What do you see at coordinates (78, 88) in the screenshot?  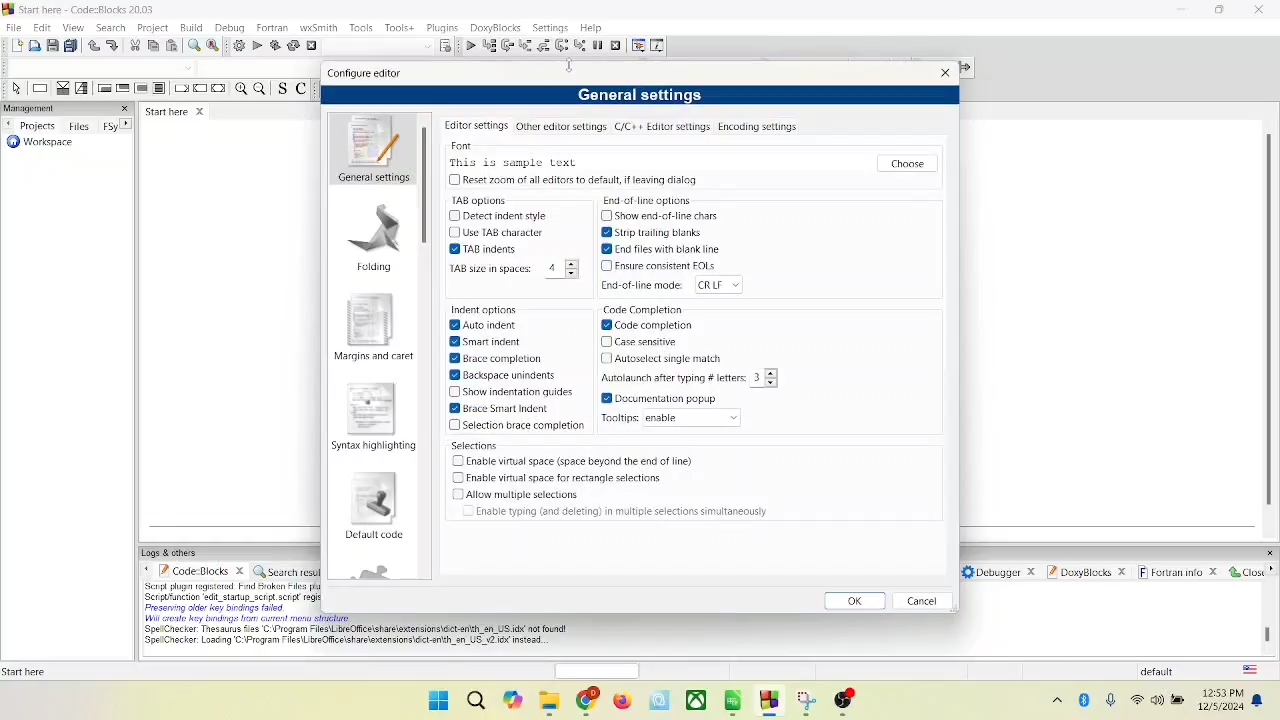 I see `selection` at bounding box center [78, 88].